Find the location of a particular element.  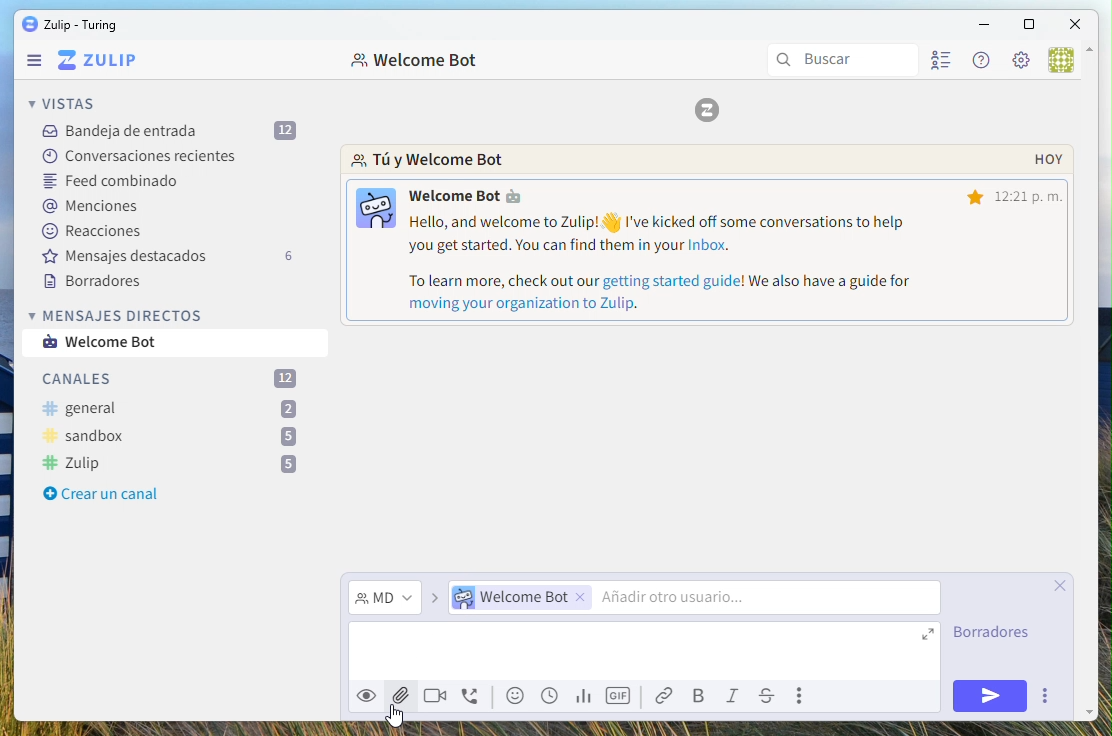

Reactions is located at coordinates (98, 230).